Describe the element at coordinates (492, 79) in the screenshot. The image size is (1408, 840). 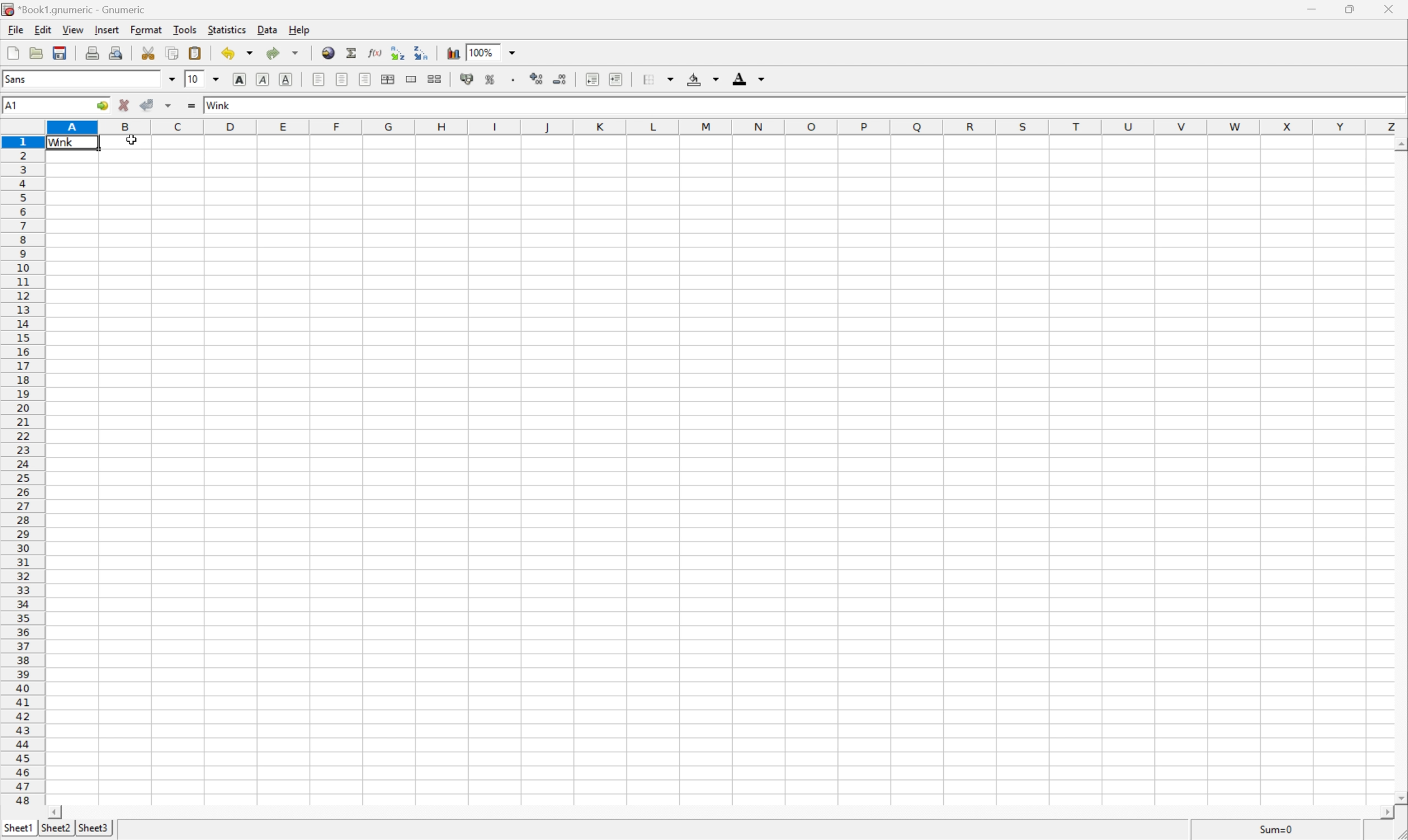
I see `format selection as percentage` at that location.